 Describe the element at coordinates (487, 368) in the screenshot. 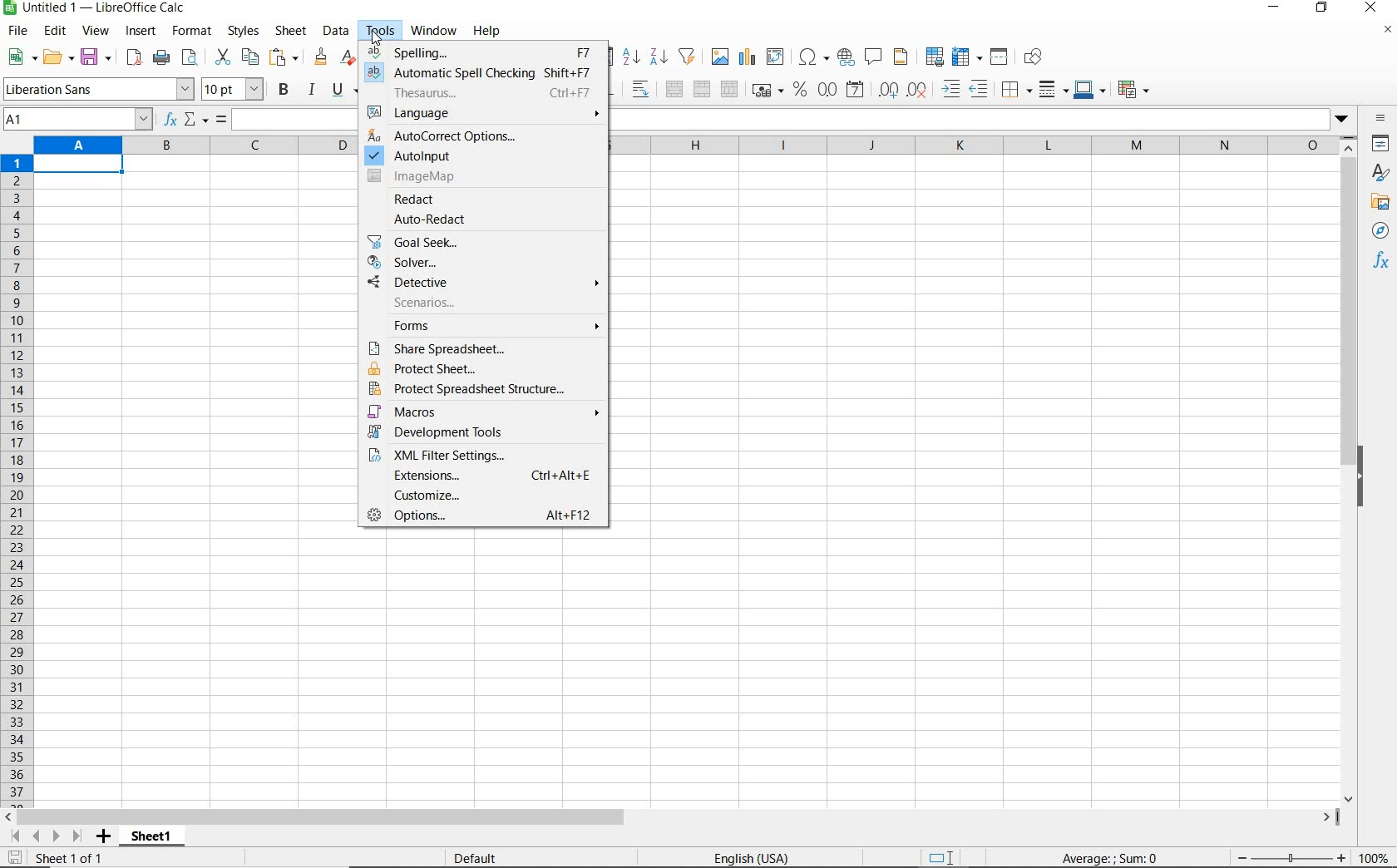

I see `protect sheet` at that location.